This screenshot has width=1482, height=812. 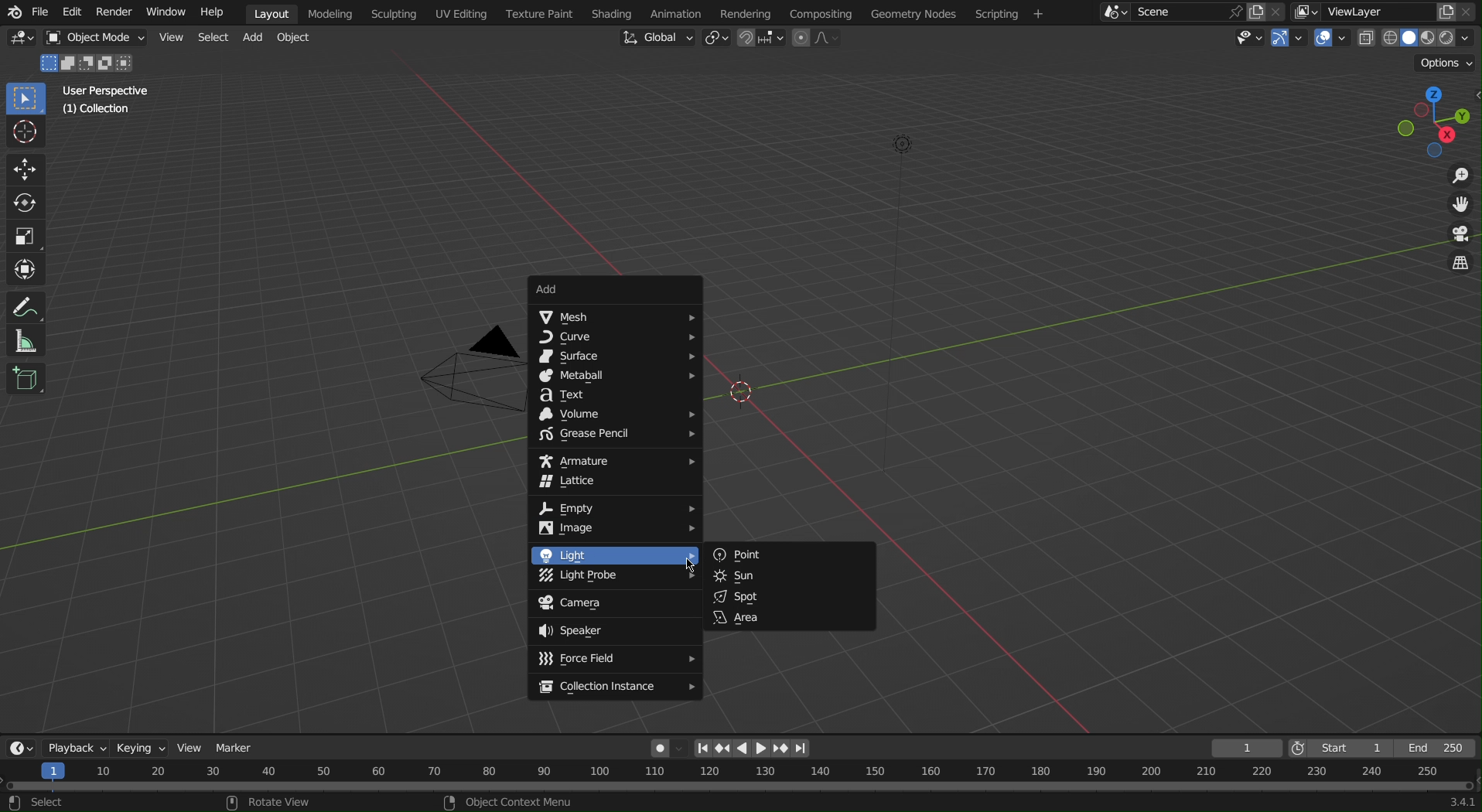 What do you see at coordinates (217, 13) in the screenshot?
I see `Help` at bounding box center [217, 13].